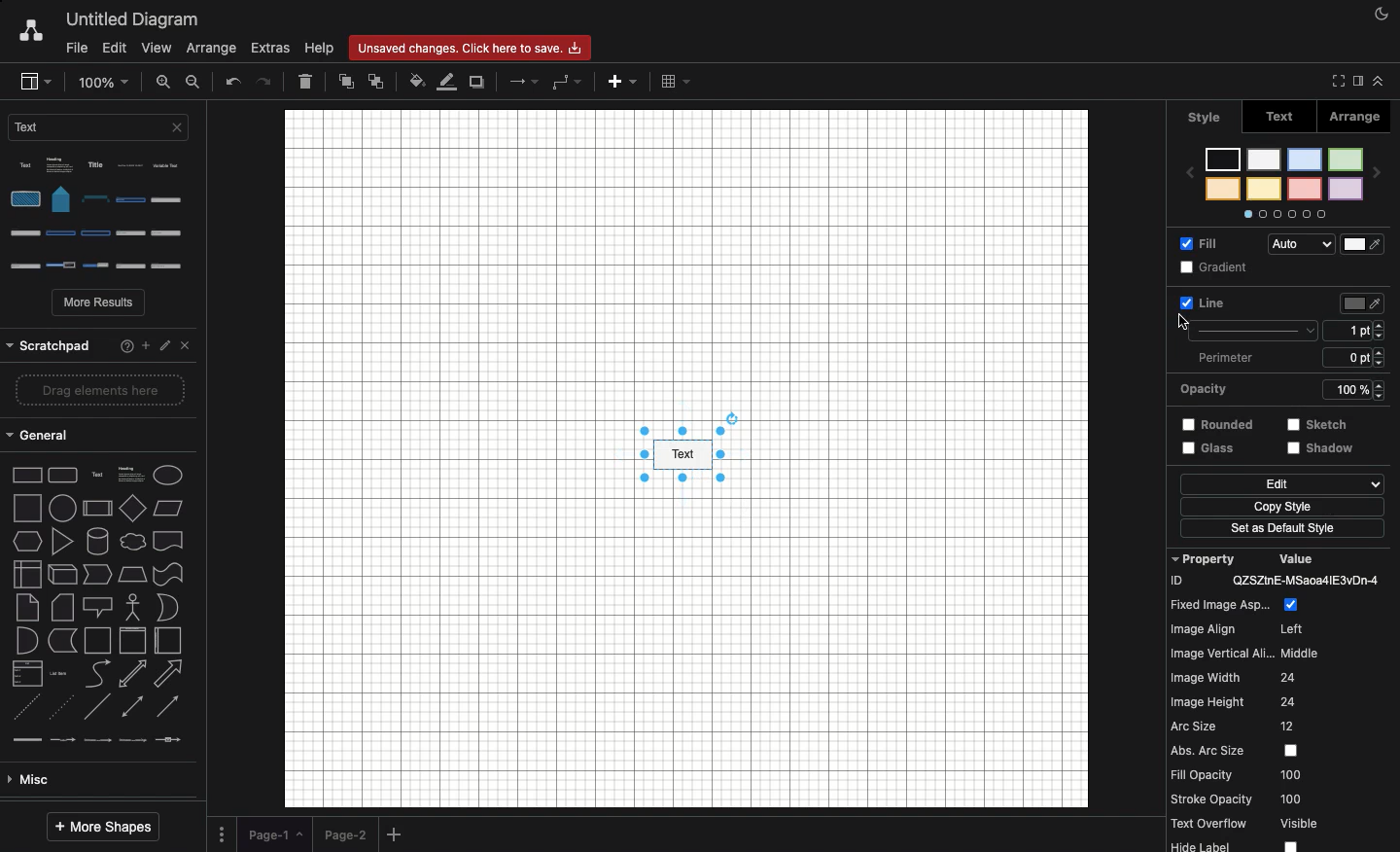  I want to click on shape, so click(99, 438).